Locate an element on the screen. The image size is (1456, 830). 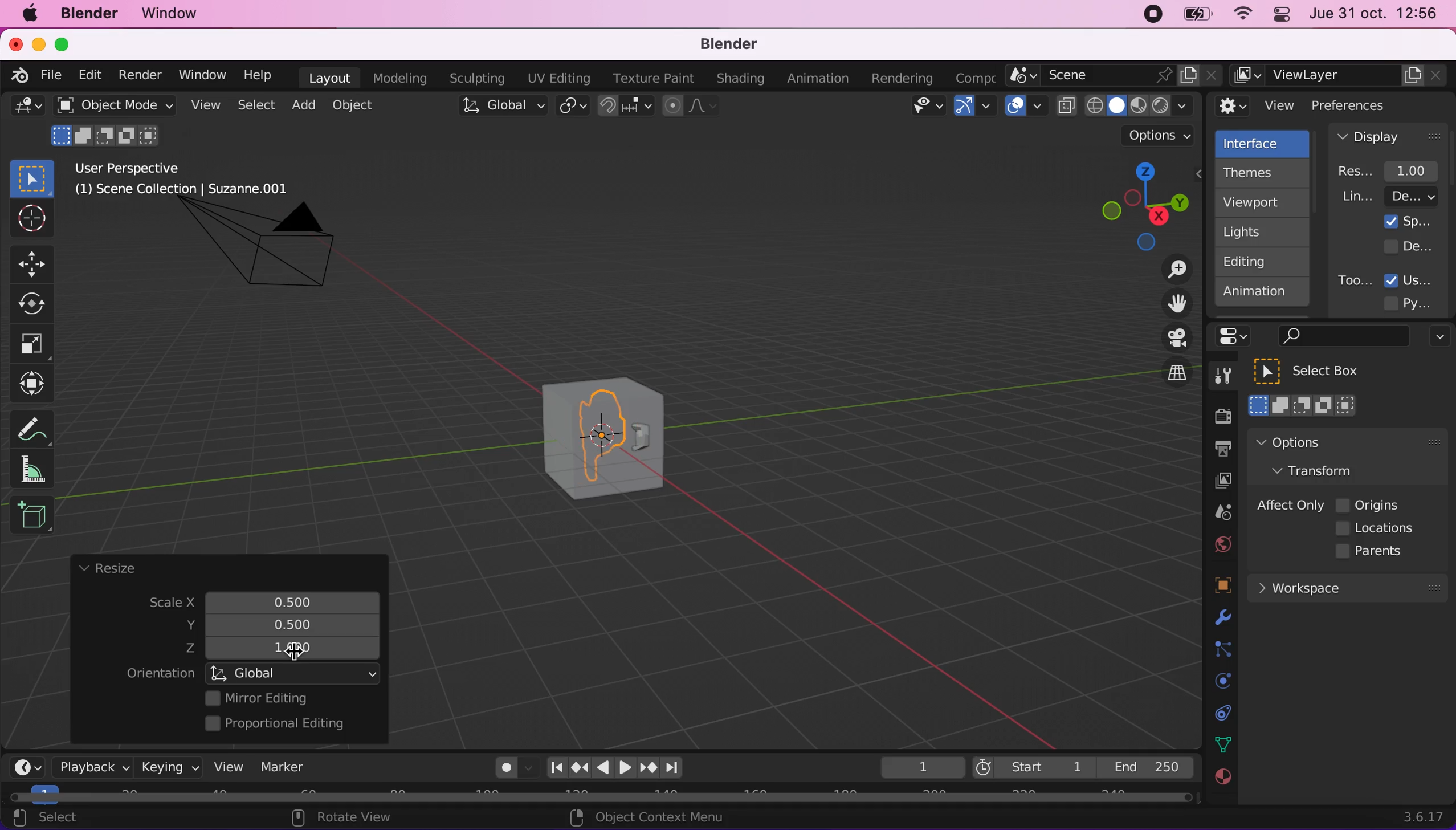
play is located at coordinates (615, 768).